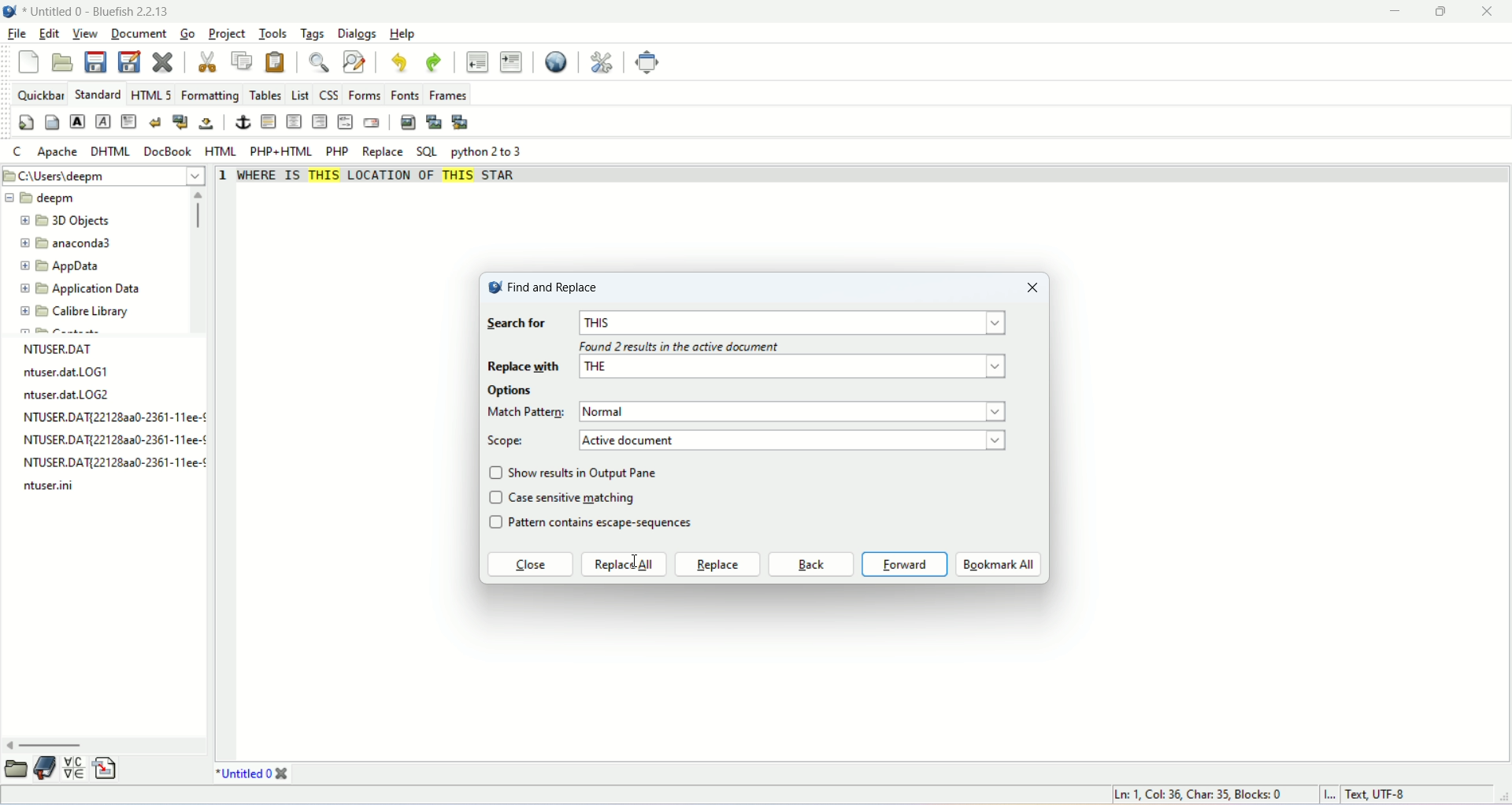 The height and width of the screenshot is (805, 1512). What do you see at coordinates (61, 348) in the screenshot?
I see `NTUSER.DAT` at bounding box center [61, 348].